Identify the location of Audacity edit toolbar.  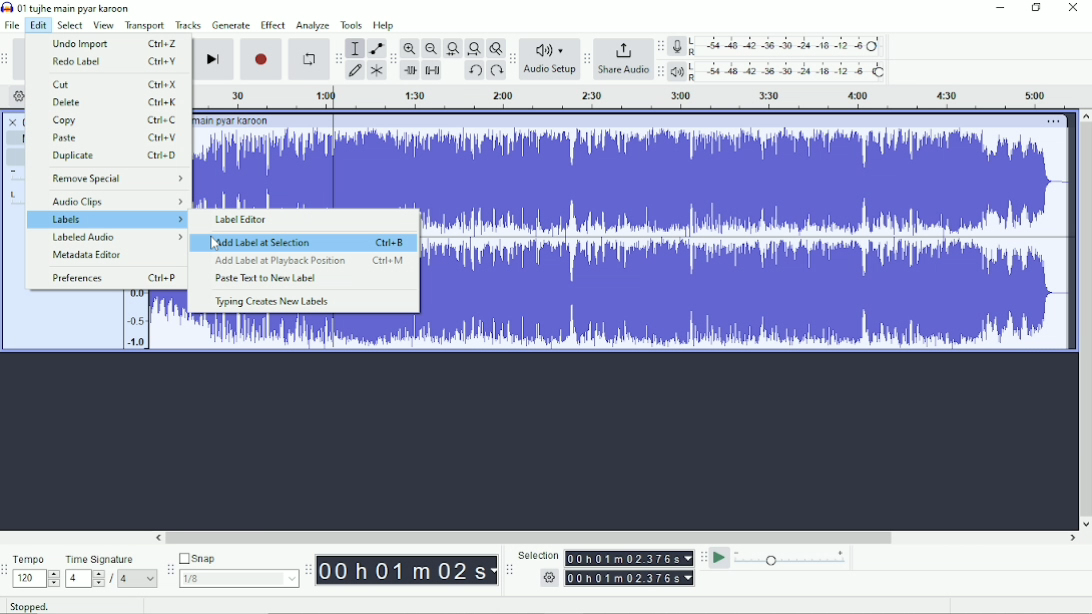
(393, 58).